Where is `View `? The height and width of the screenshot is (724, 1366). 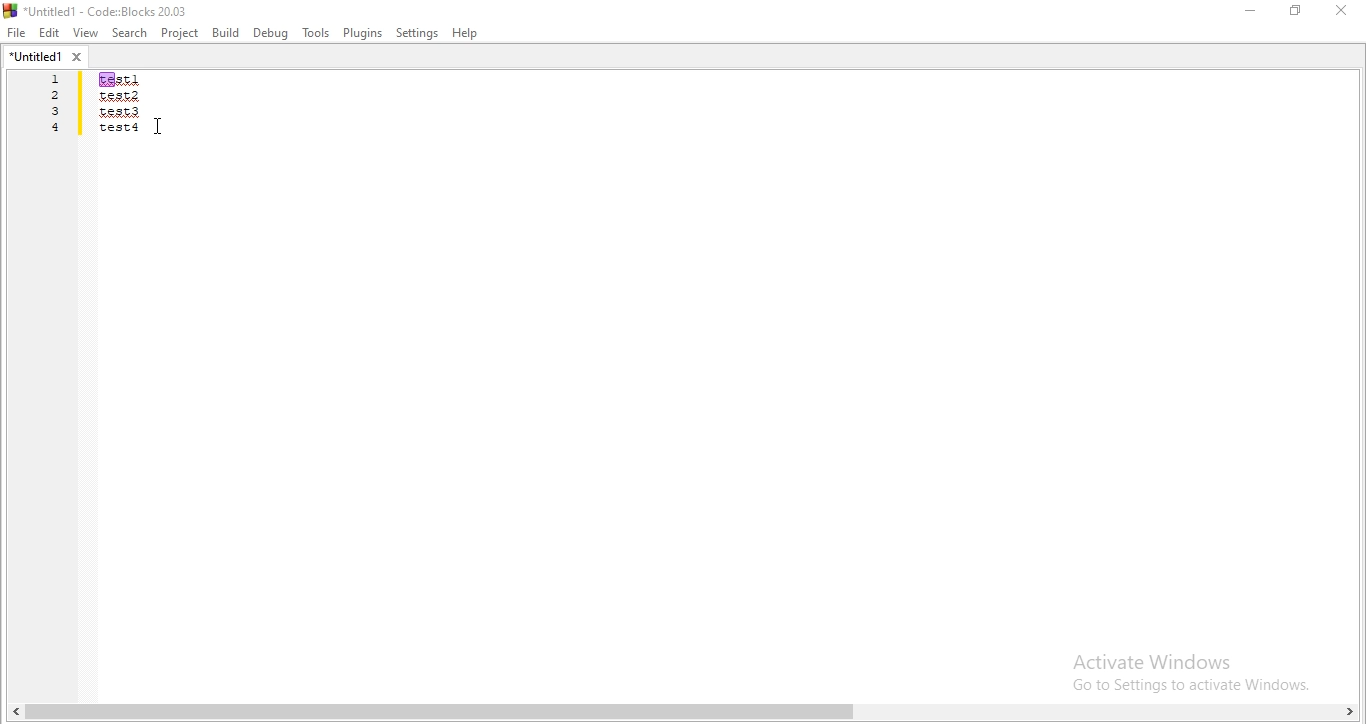
View  is located at coordinates (85, 30).